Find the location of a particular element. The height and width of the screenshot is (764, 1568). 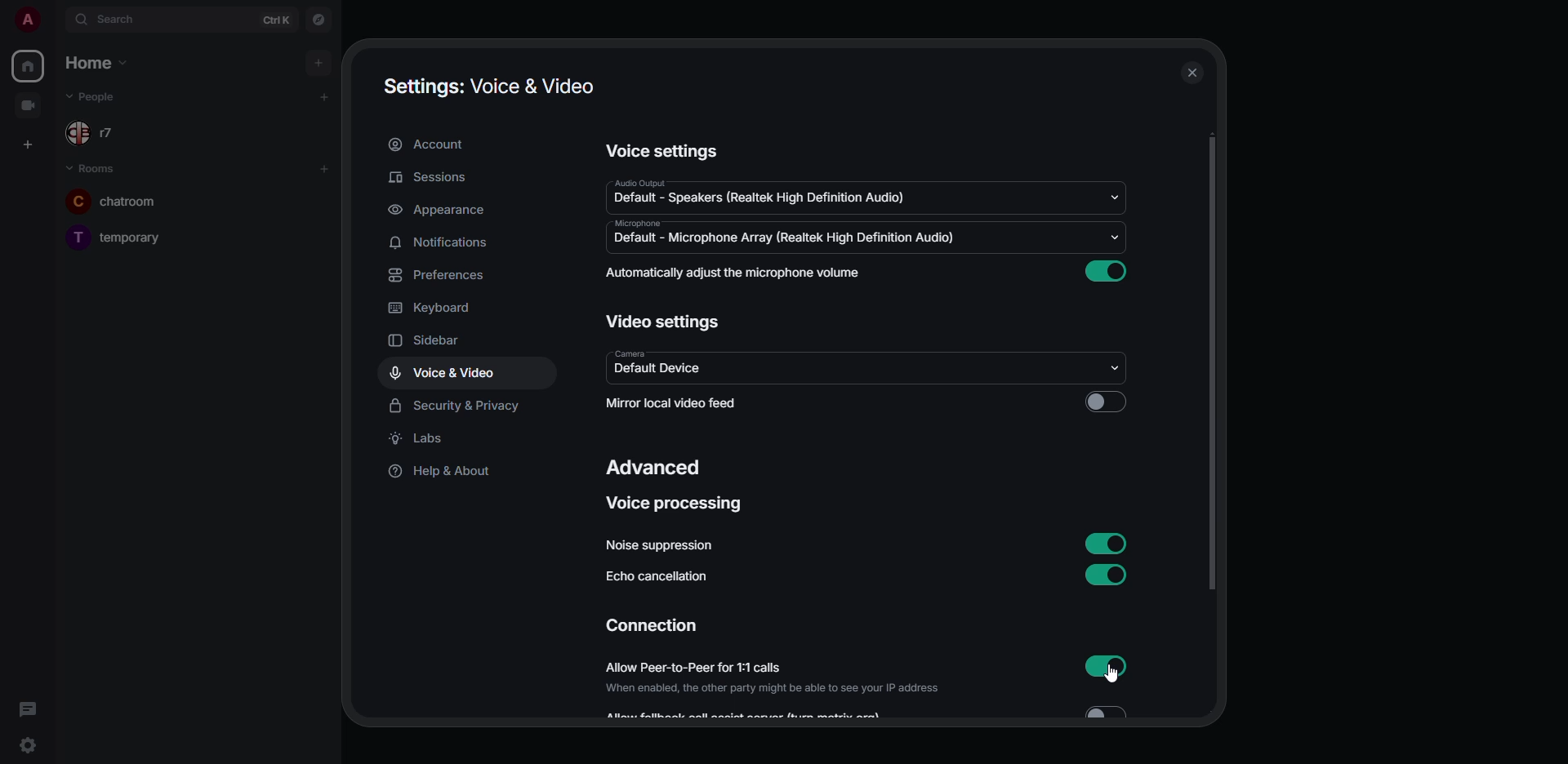

video room is located at coordinates (28, 104).